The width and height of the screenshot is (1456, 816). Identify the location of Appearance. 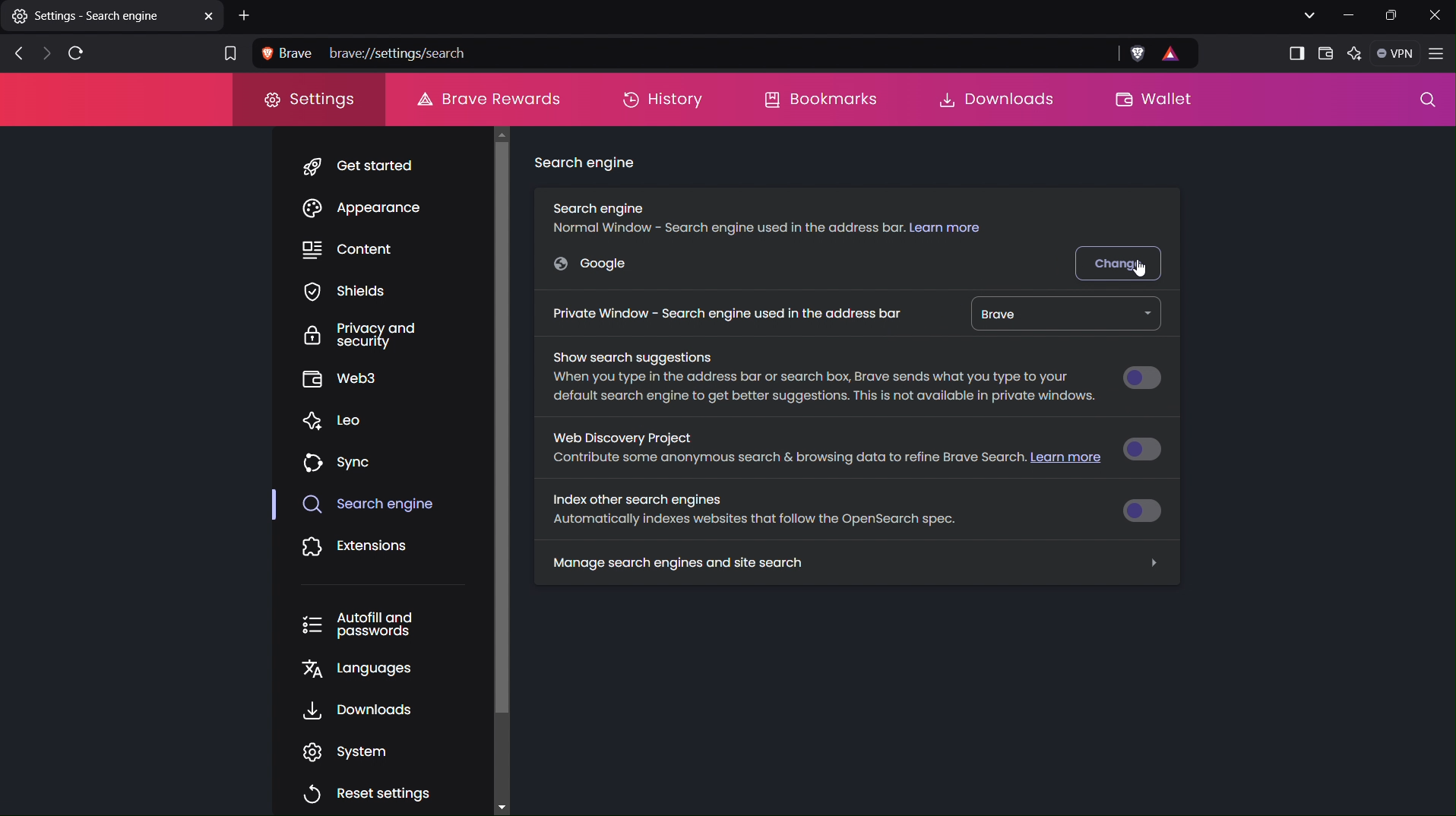
(375, 211).